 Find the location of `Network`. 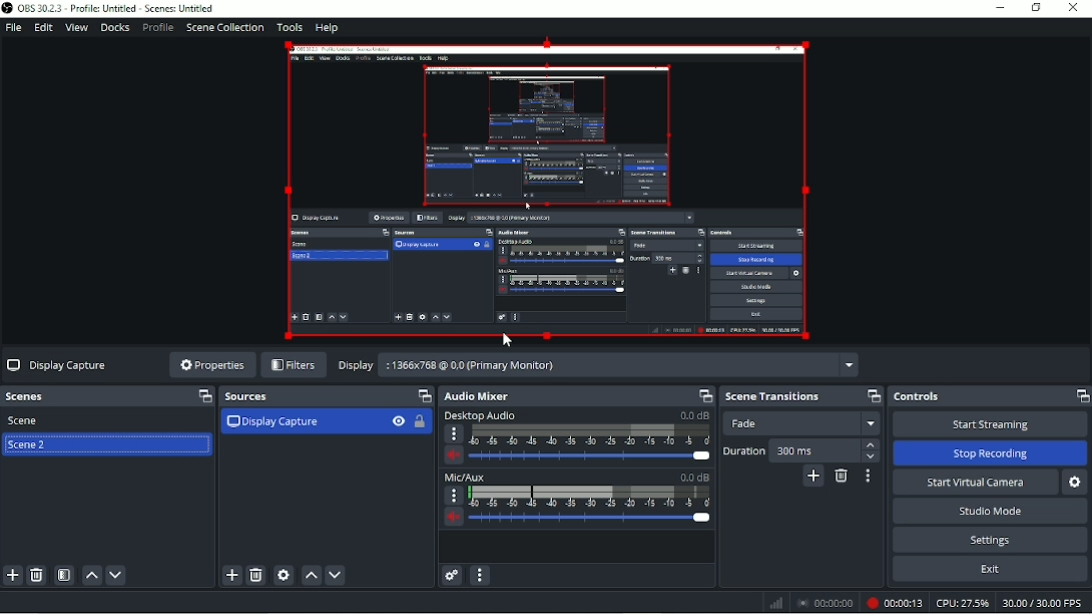

Network is located at coordinates (776, 604).